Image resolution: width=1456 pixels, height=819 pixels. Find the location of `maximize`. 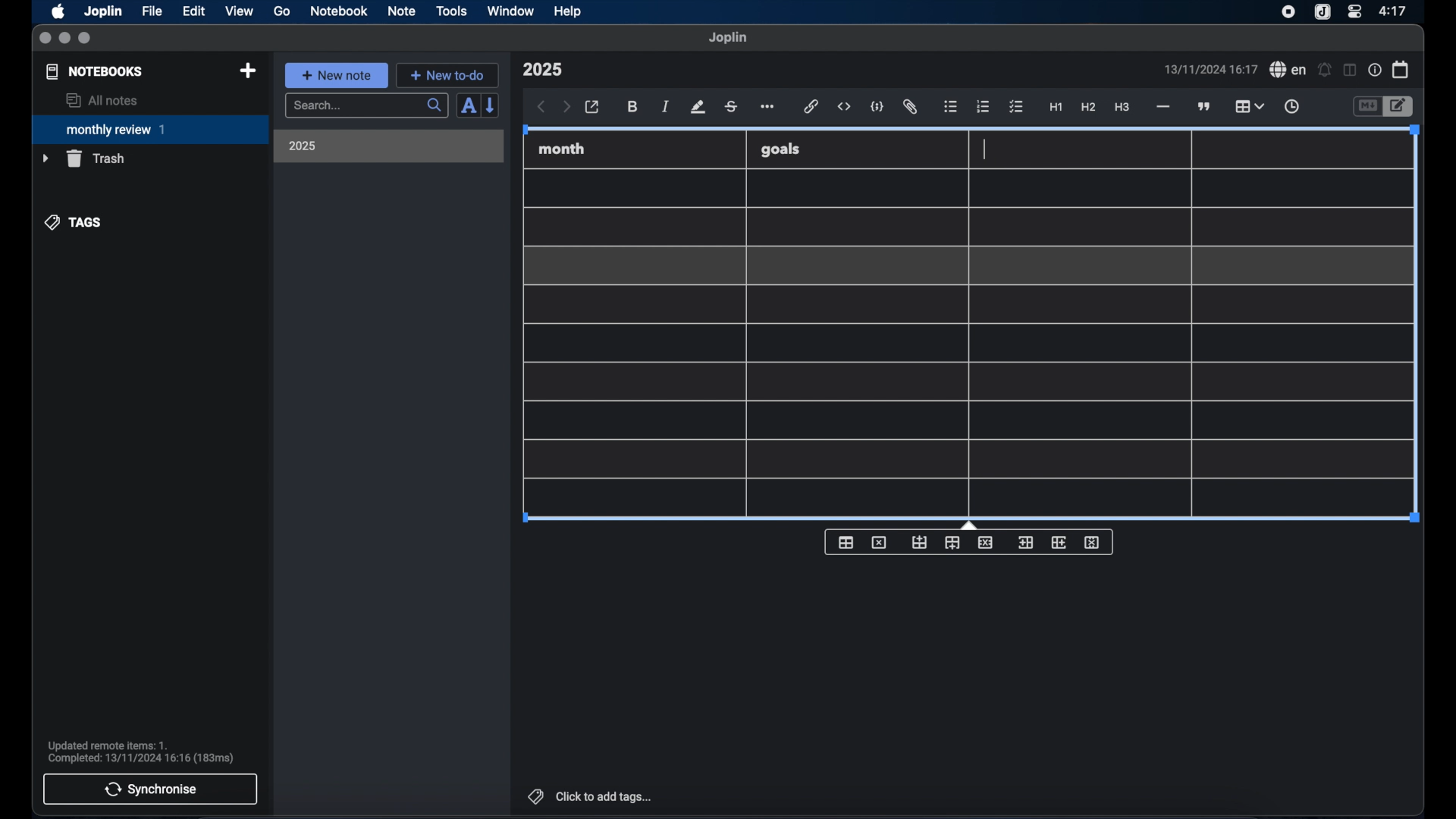

maximize is located at coordinates (86, 39).